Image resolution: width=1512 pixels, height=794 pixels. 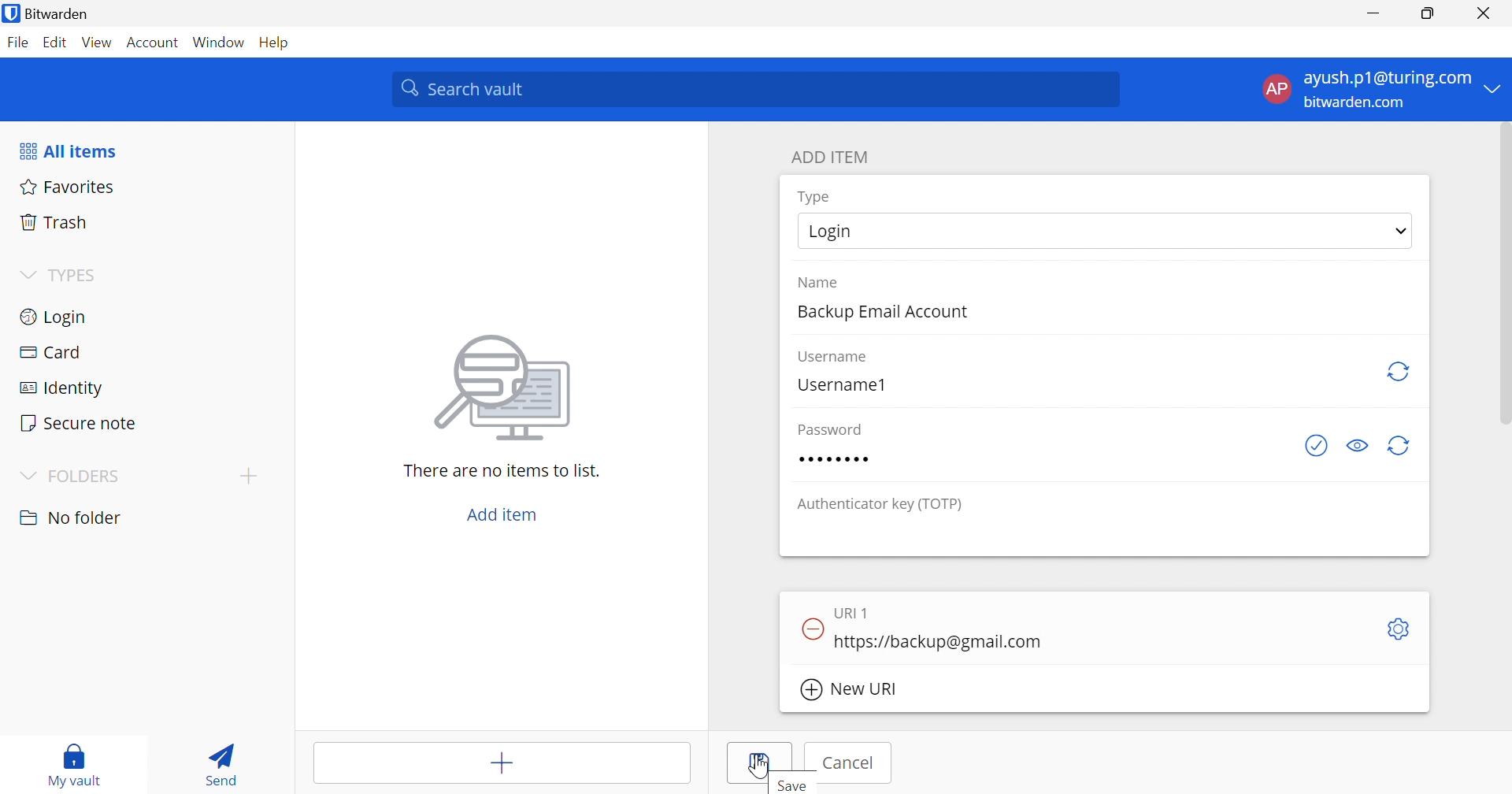 What do you see at coordinates (939, 641) in the screenshot?
I see `https://backup@mail.com` at bounding box center [939, 641].